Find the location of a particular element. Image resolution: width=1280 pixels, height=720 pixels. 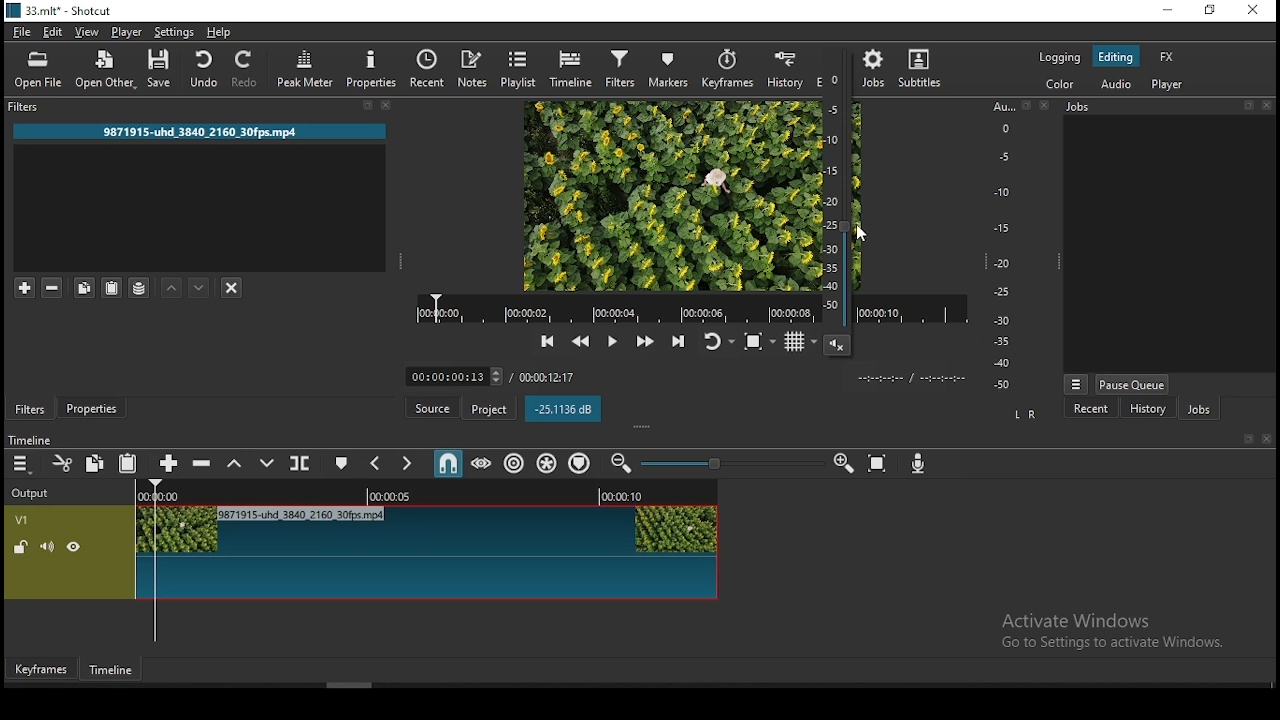

audio is located at coordinates (1116, 81).